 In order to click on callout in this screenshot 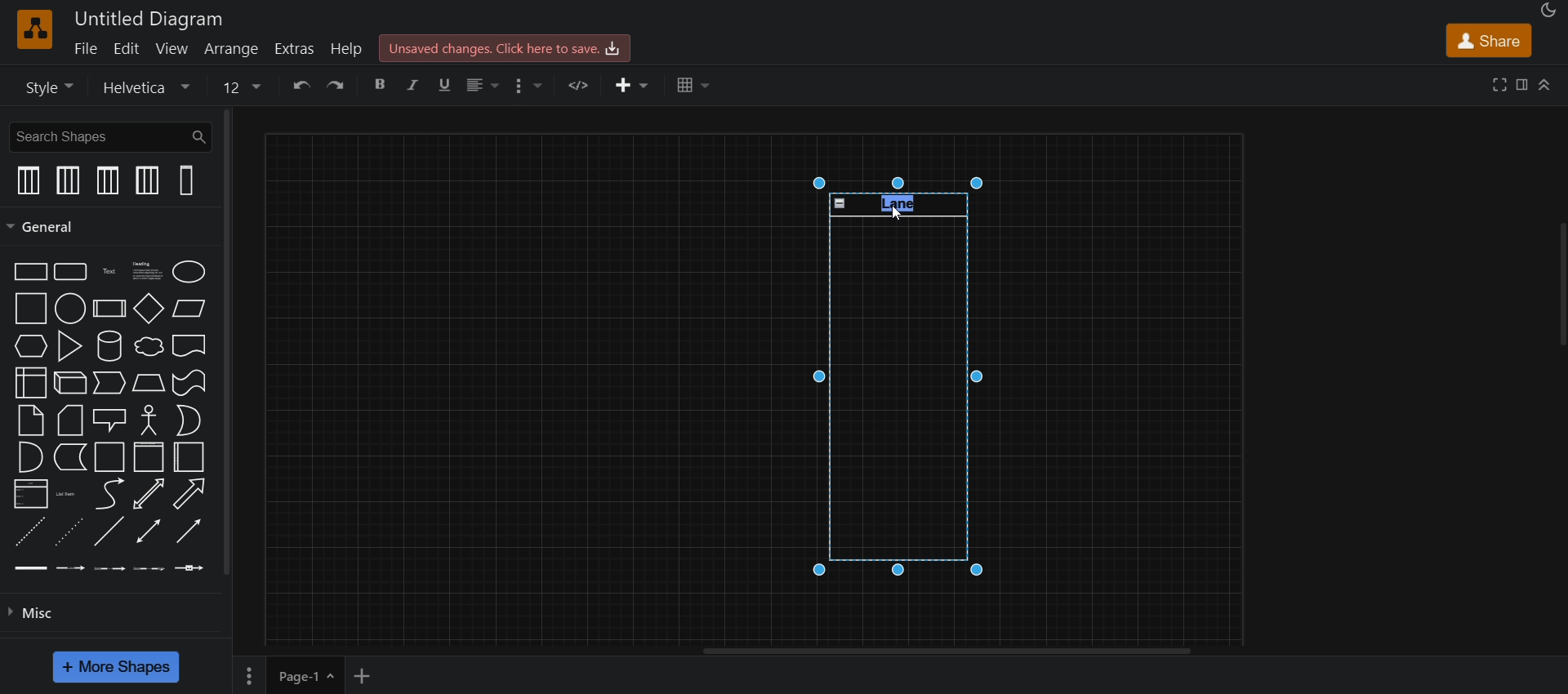, I will do `click(109, 421)`.